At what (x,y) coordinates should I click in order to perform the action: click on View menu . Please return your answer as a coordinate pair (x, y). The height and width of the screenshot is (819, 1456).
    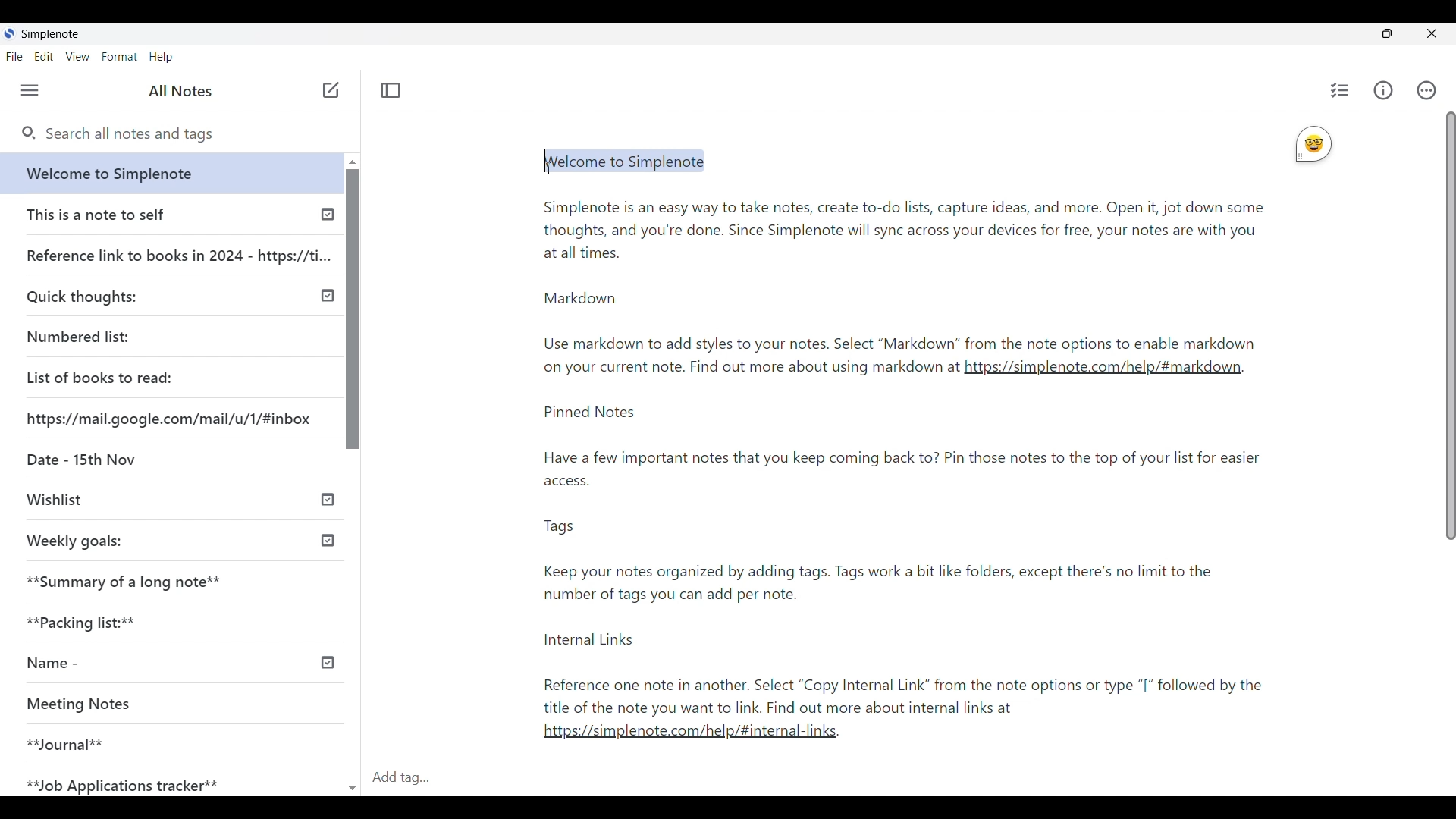
    Looking at the image, I should click on (78, 56).